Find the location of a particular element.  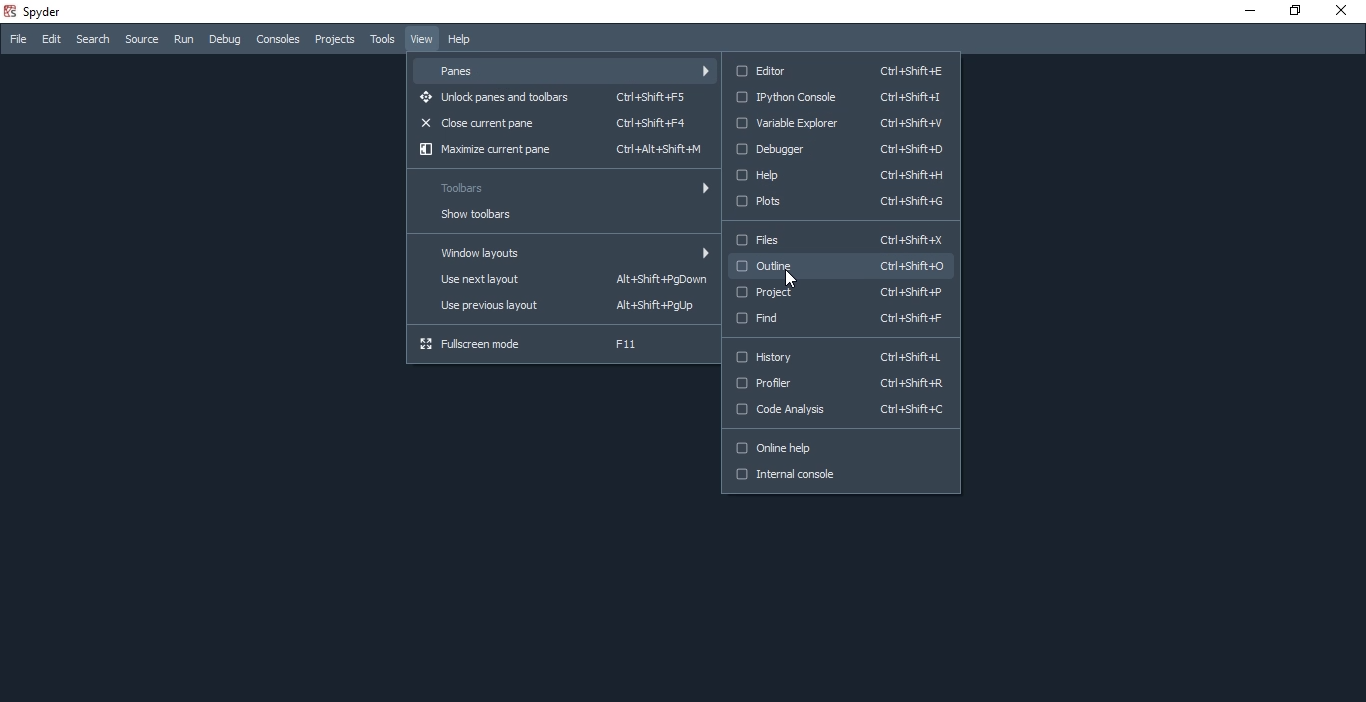

Editor is located at coordinates (842, 68).